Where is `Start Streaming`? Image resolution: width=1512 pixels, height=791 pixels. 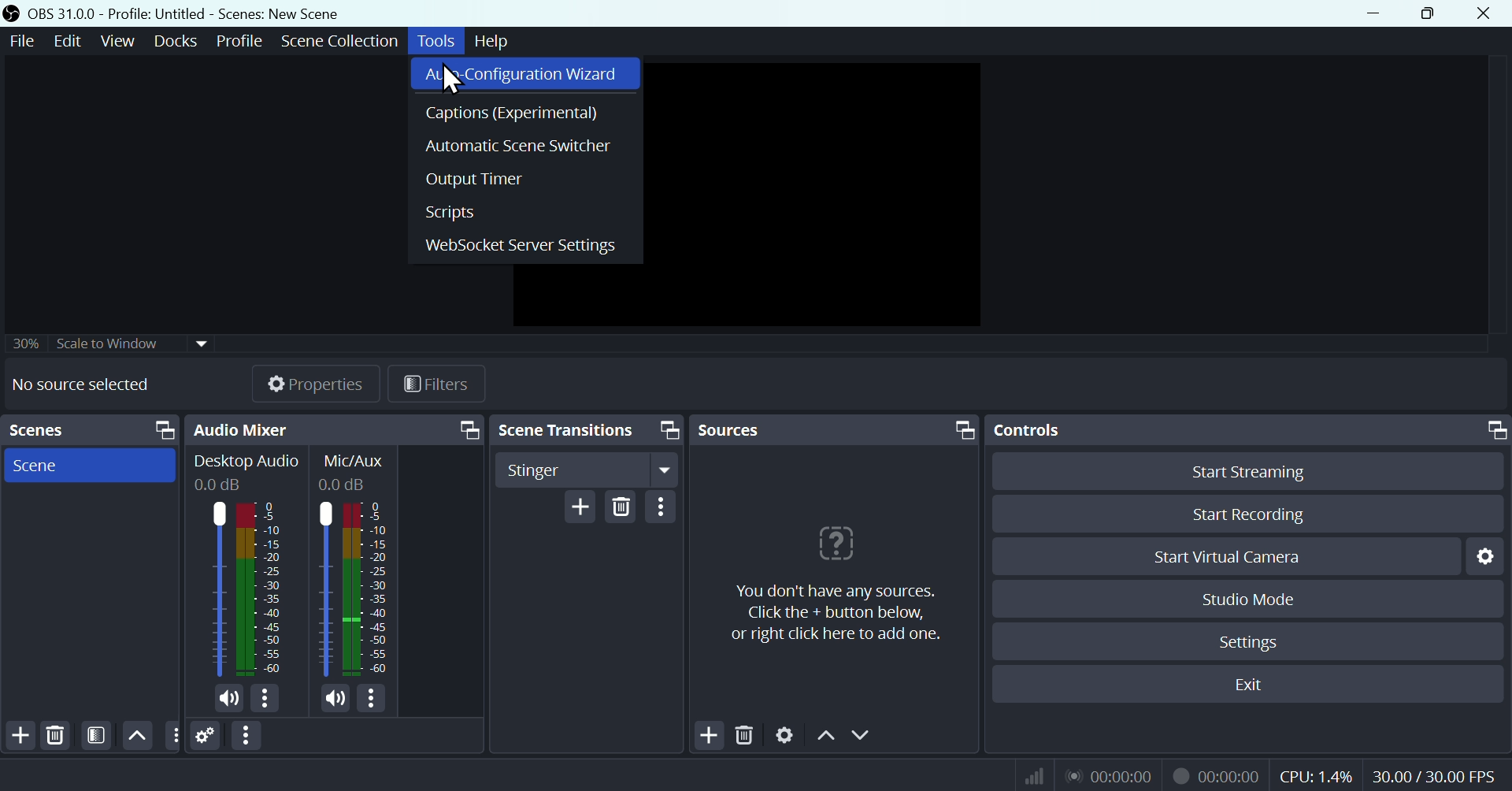
Start Streaming is located at coordinates (1247, 469).